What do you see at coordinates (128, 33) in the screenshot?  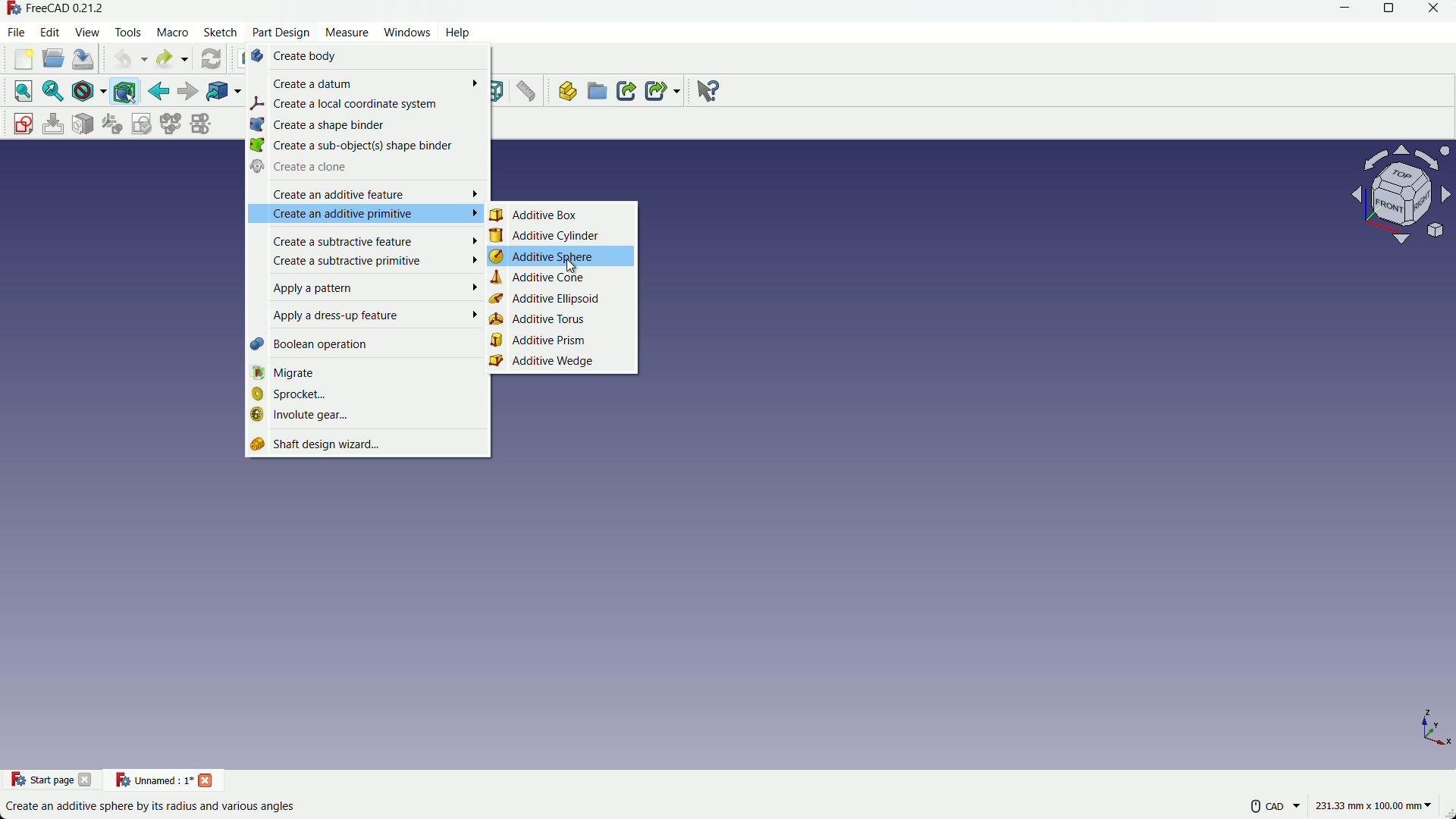 I see `tools` at bounding box center [128, 33].